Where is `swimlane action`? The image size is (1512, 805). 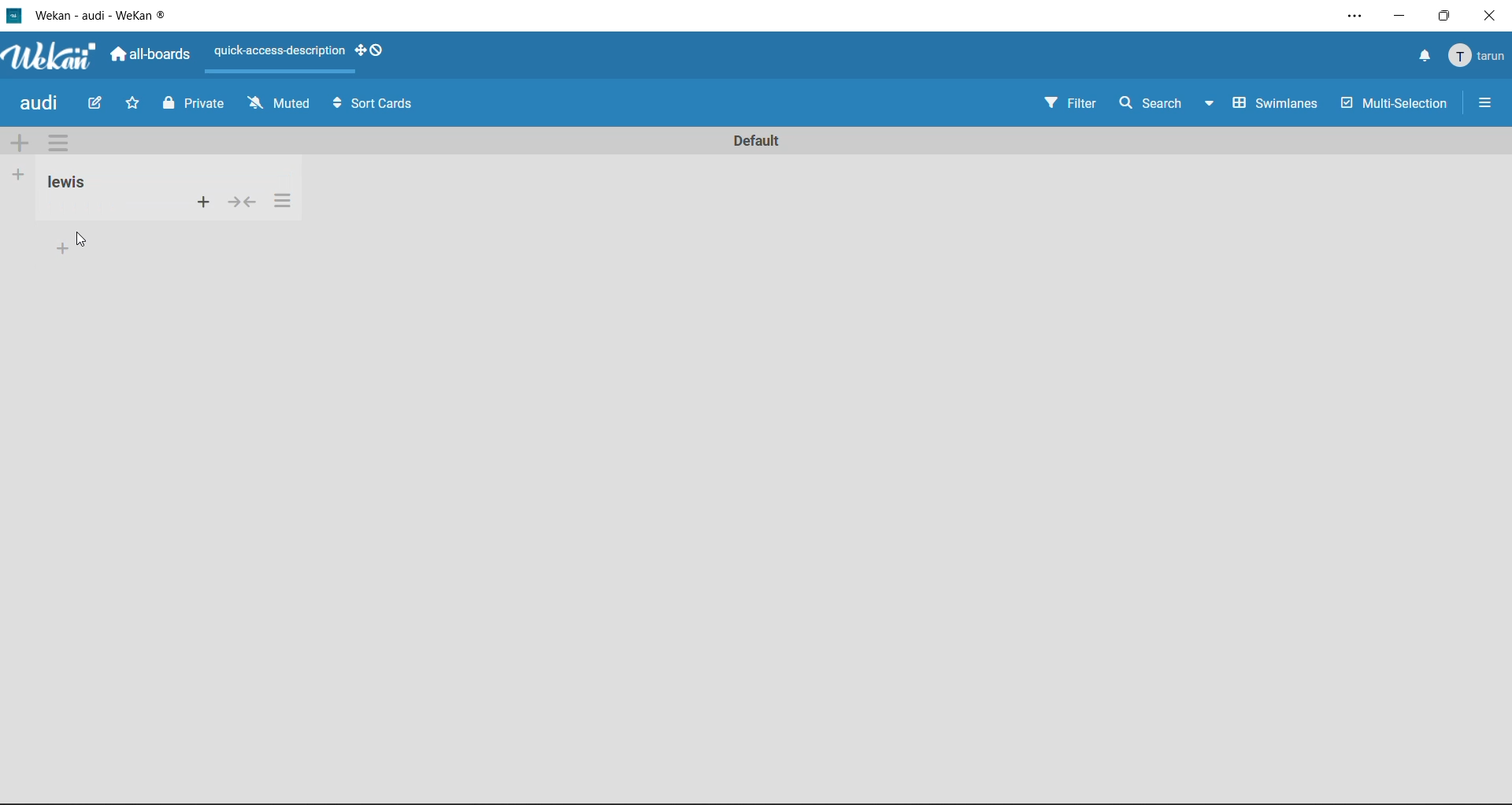
swimlane action is located at coordinates (57, 142).